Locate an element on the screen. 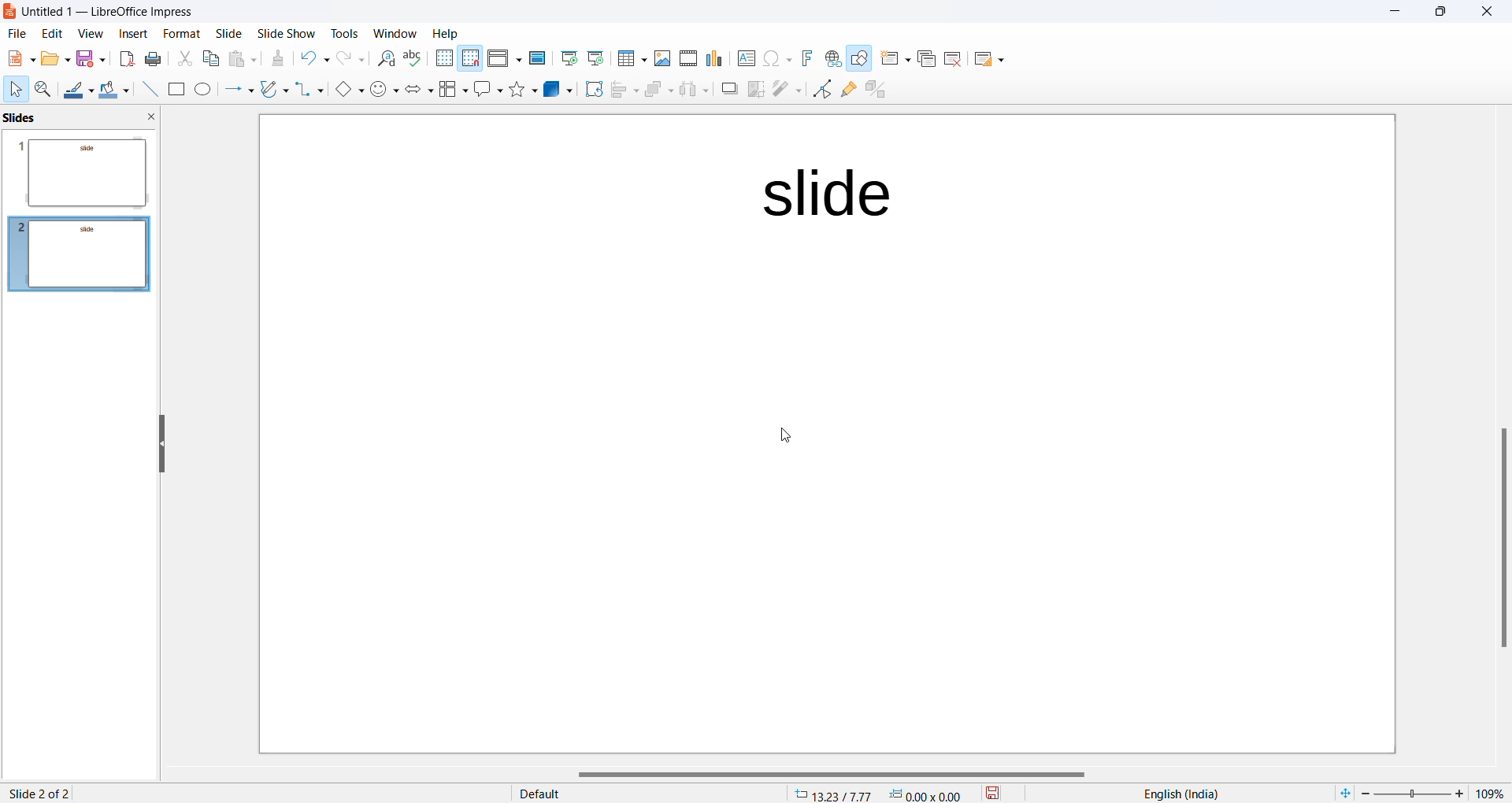 This screenshot has width=1512, height=803. Arrange is located at coordinates (655, 92).